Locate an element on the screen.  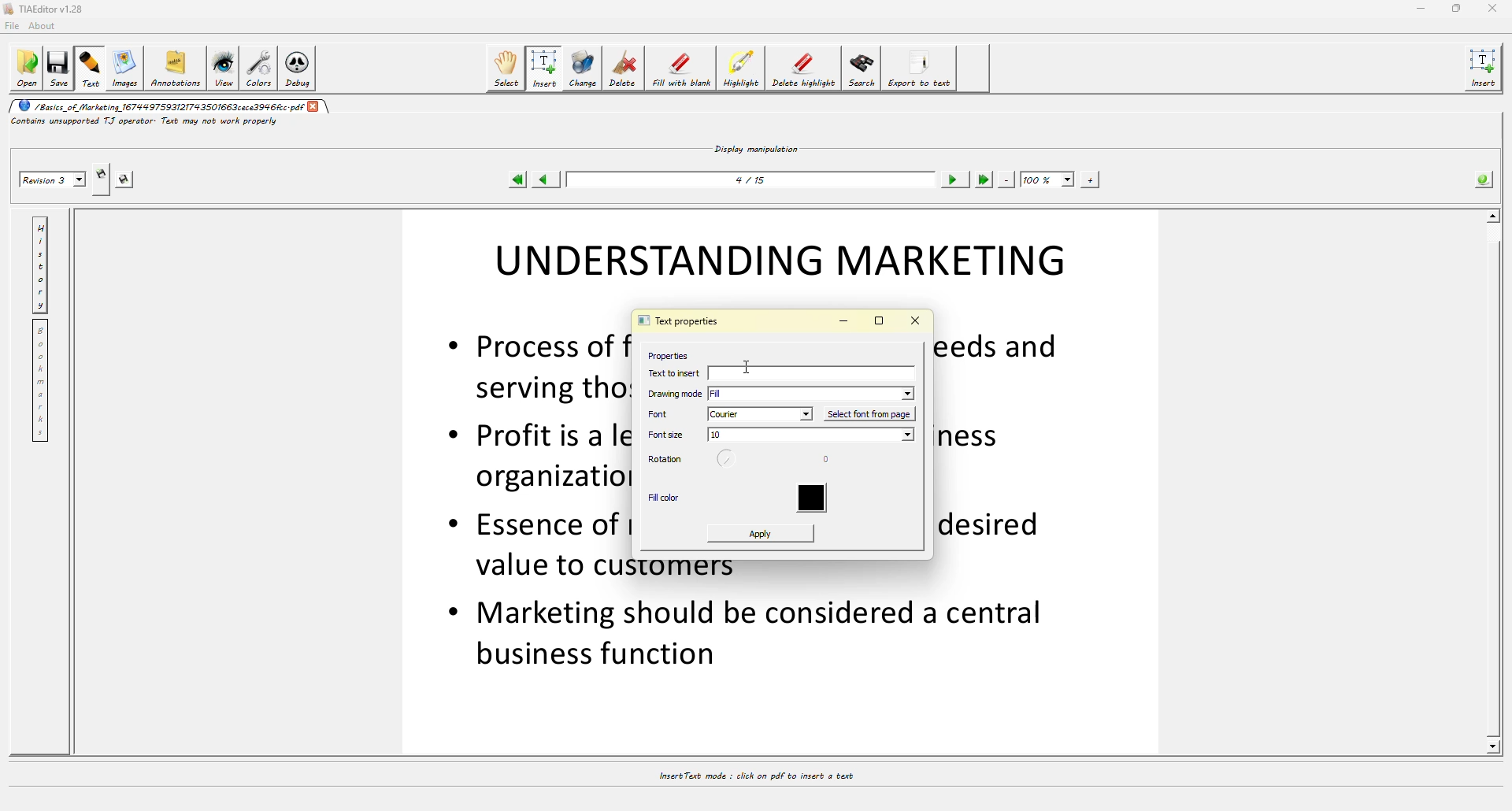
degree is located at coordinates (832, 461).